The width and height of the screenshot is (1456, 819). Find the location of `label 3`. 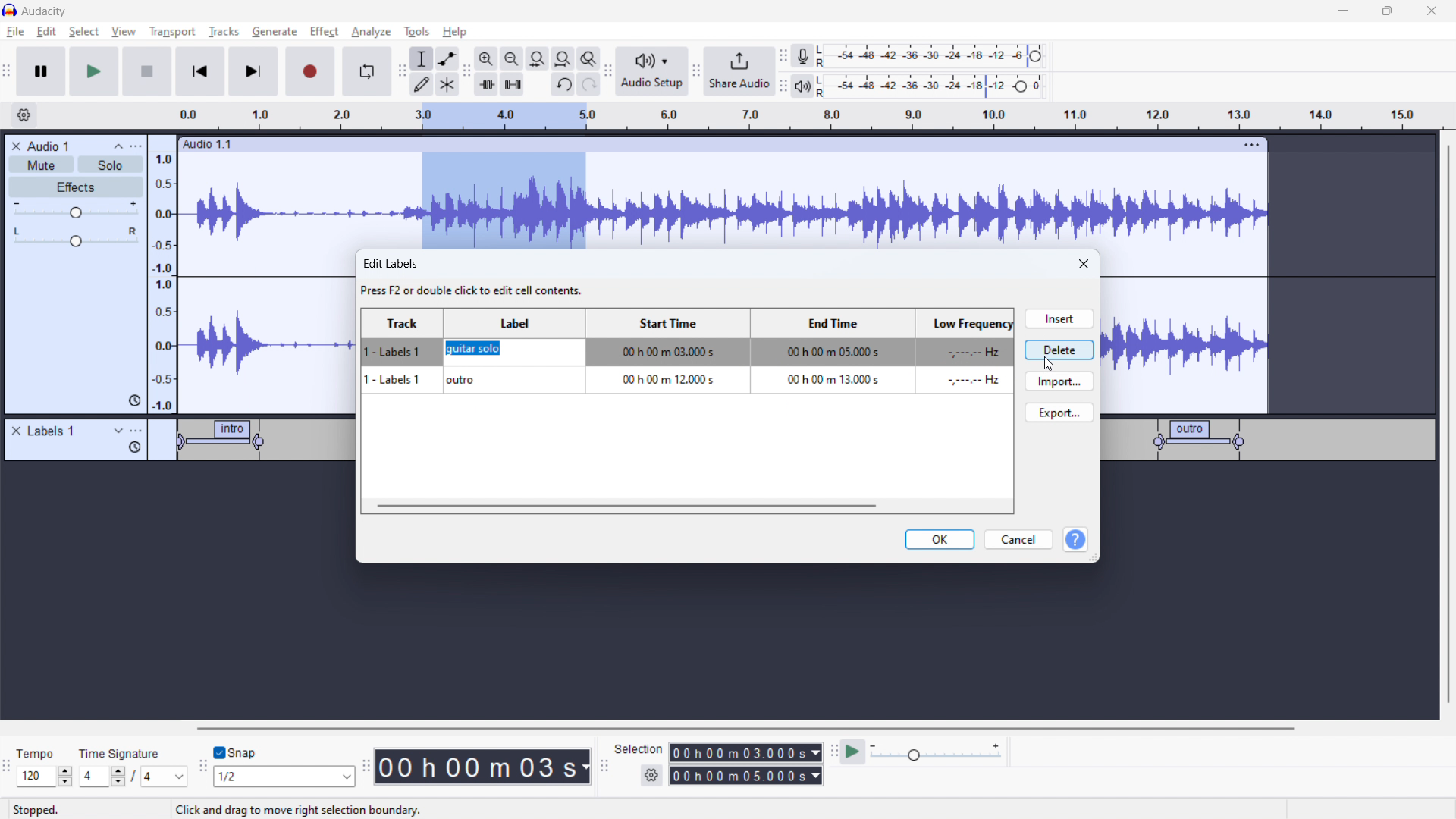

label 3 is located at coordinates (1200, 439).